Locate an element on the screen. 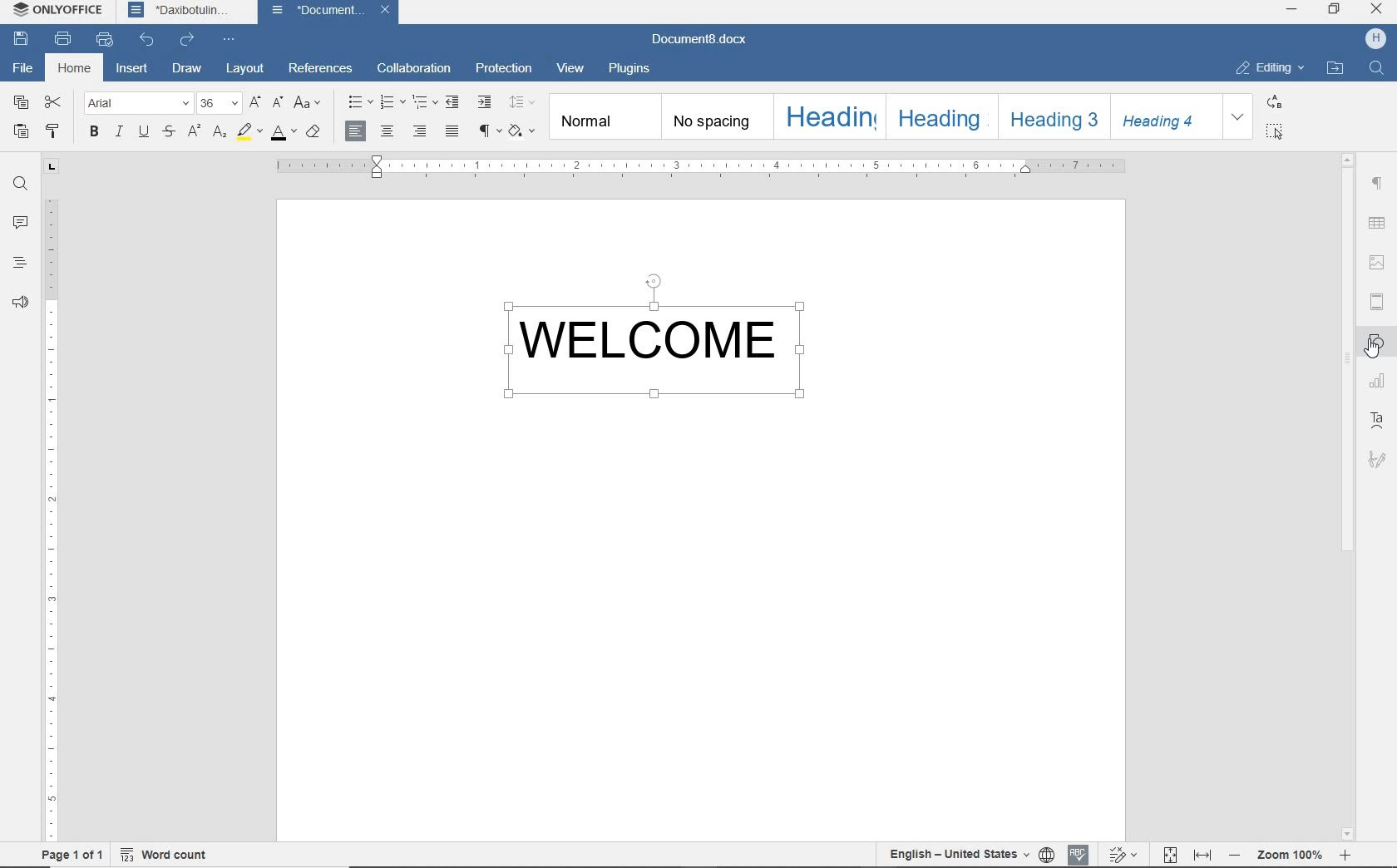  FIND is located at coordinates (1375, 70).